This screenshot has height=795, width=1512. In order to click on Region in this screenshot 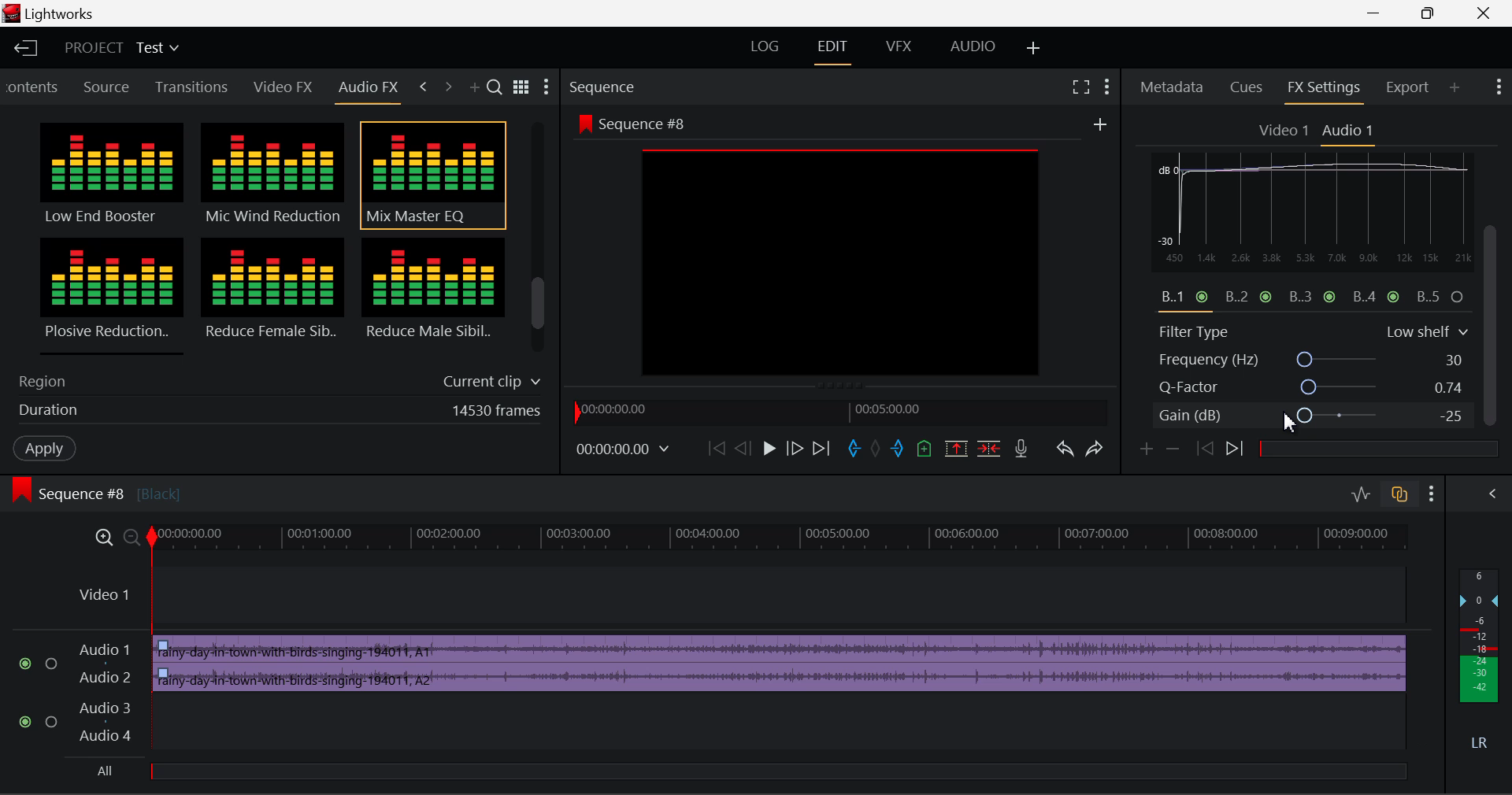, I will do `click(276, 379)`.